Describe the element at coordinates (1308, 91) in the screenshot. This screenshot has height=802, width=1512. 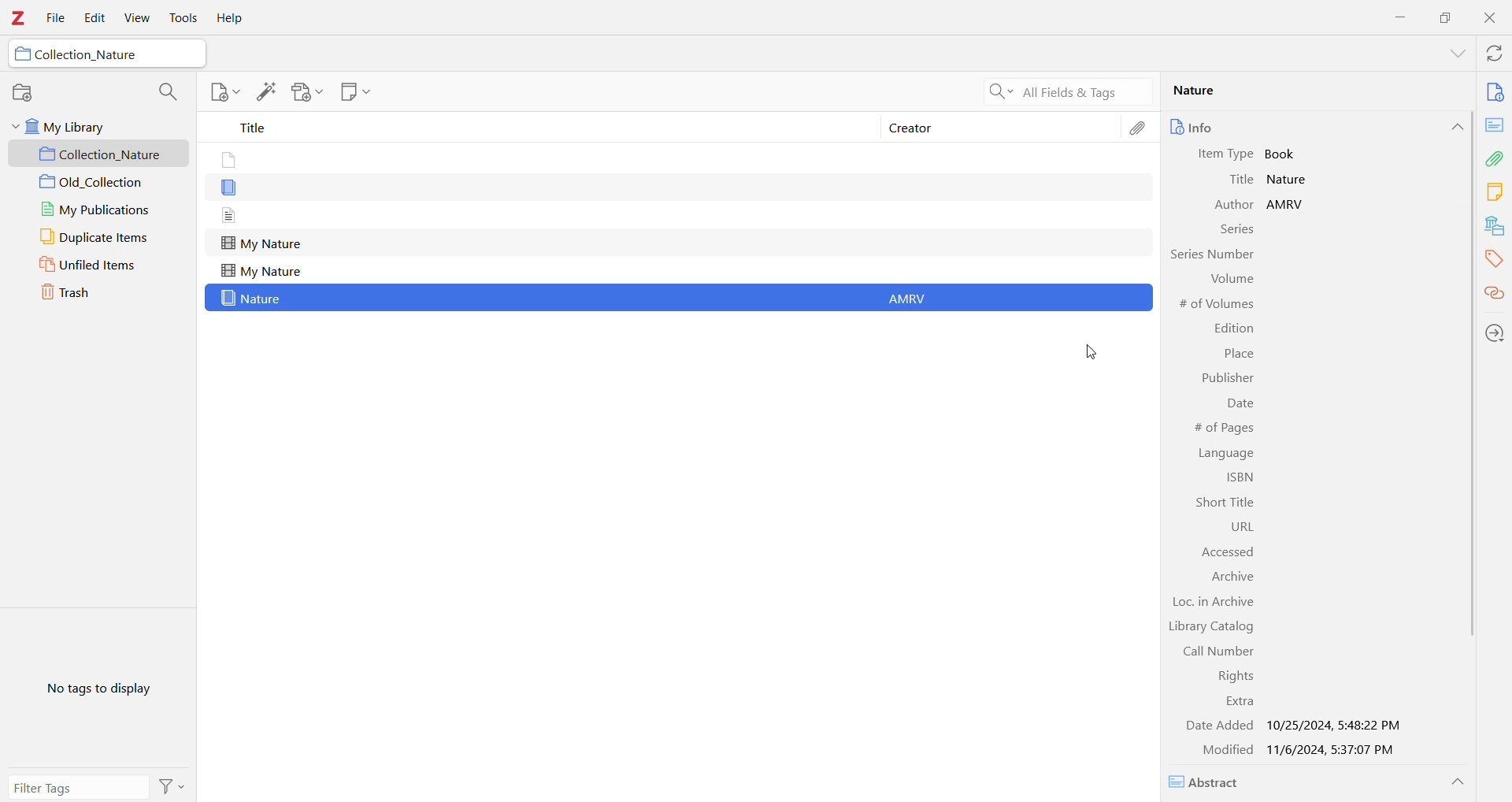
I see `Nature` at that location.